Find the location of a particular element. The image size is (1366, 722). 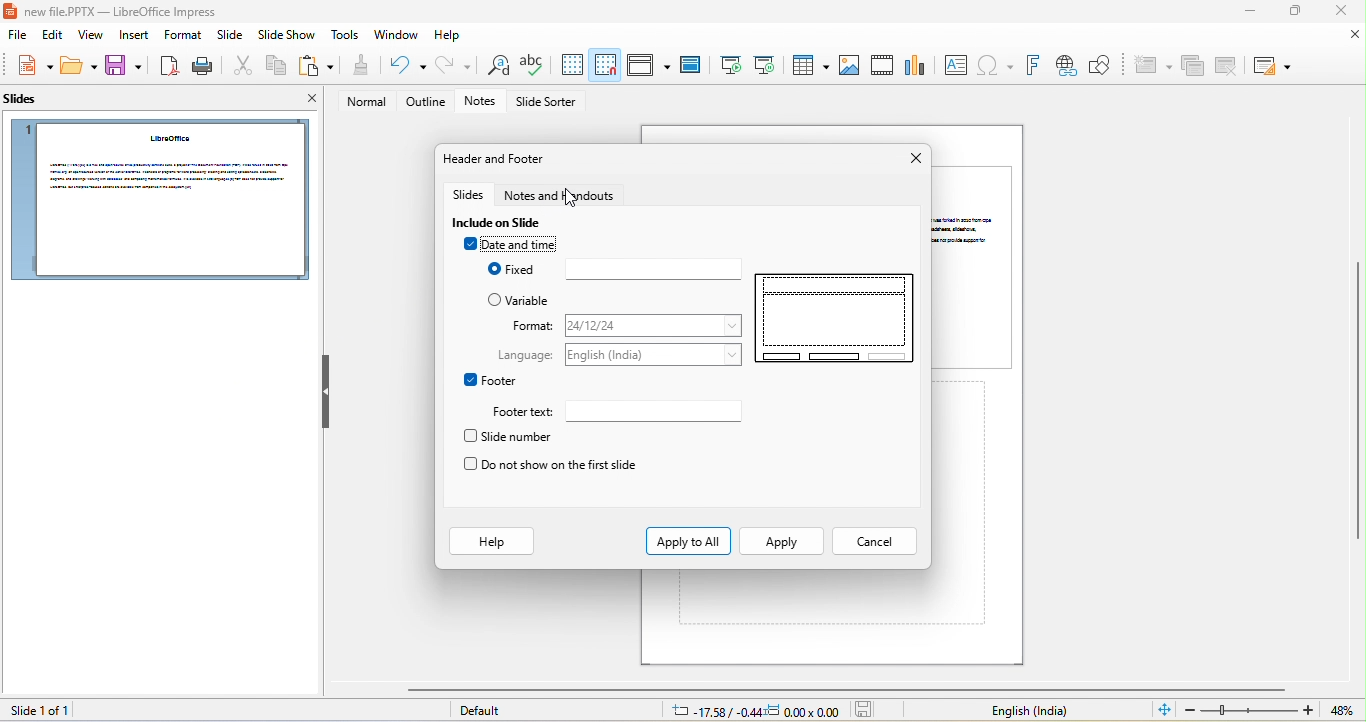

delete slide is located at coordinates (1227, 65).